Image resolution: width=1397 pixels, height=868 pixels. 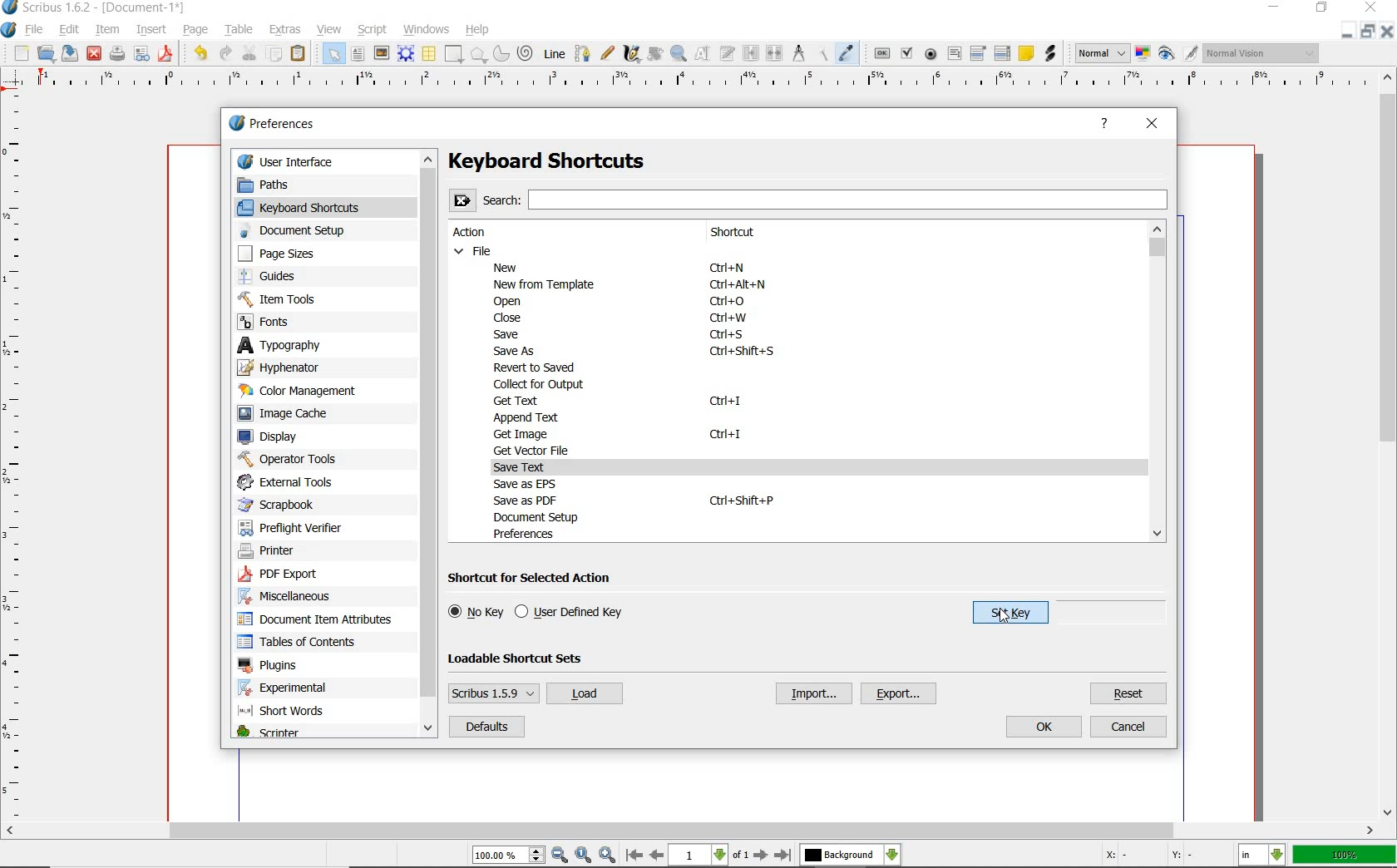 What do you see at coordinates (478, 55) in the screenshot?
I see `polygon` at bounding box center [478, 55].